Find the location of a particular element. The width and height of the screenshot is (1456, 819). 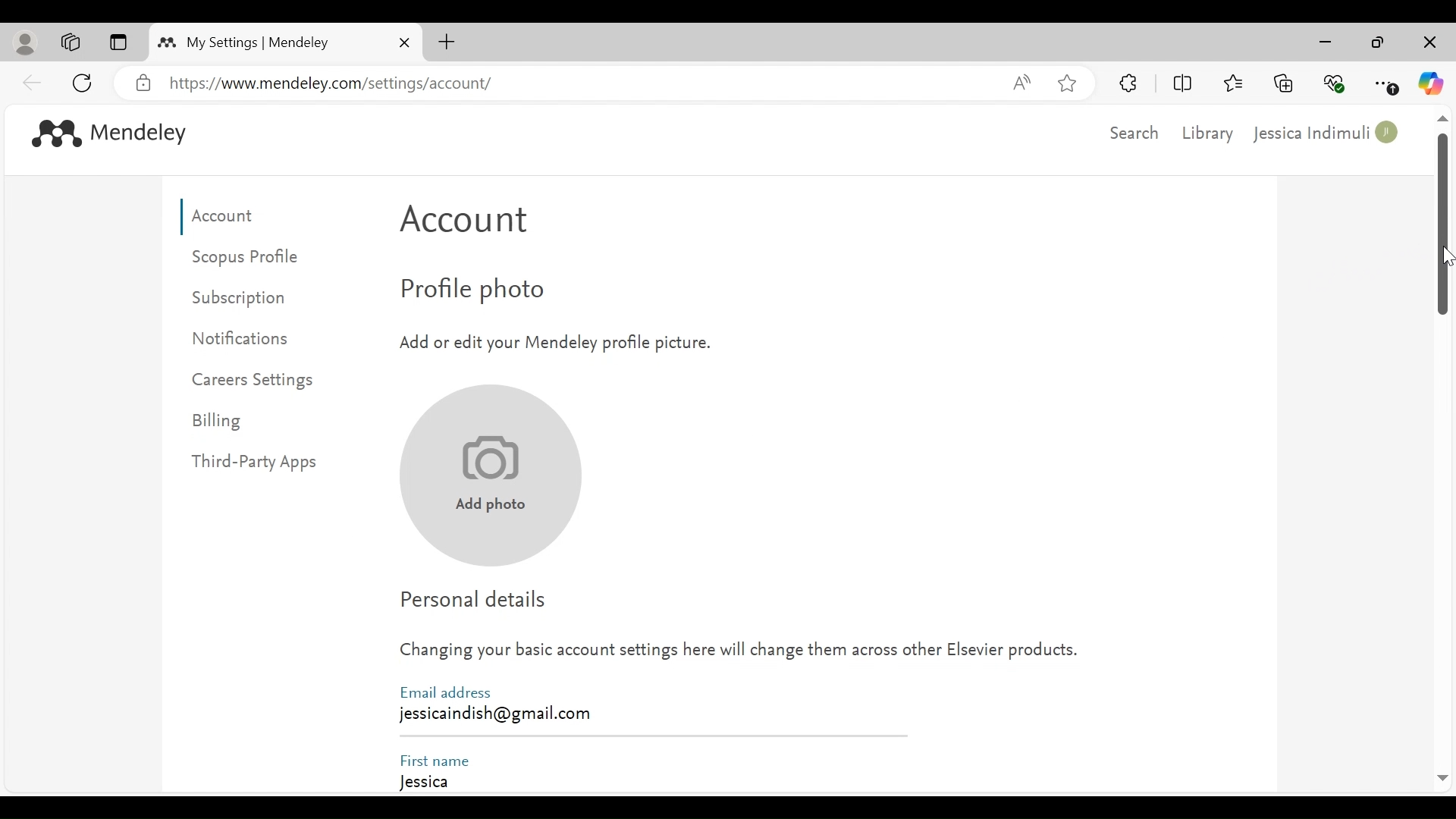

back is located at coordinates (33, 82).